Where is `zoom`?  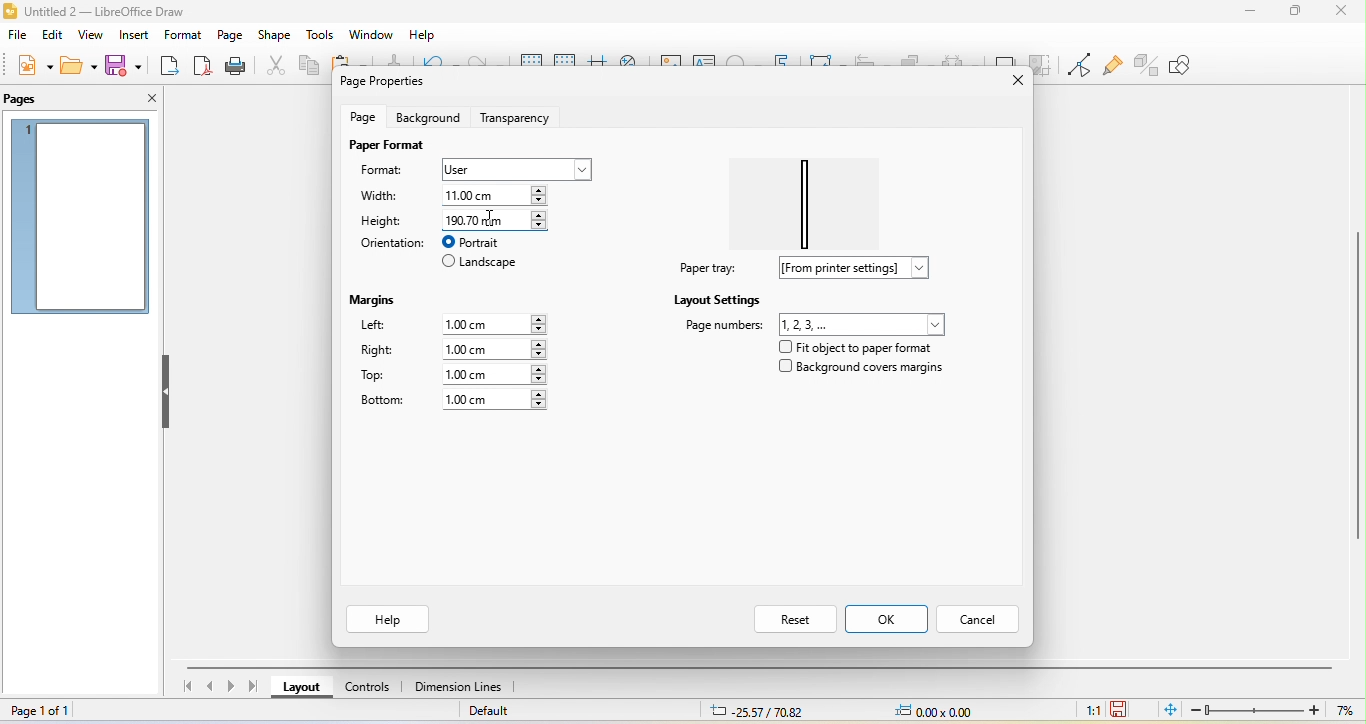
zoom is located at coordinates (1276, 710).